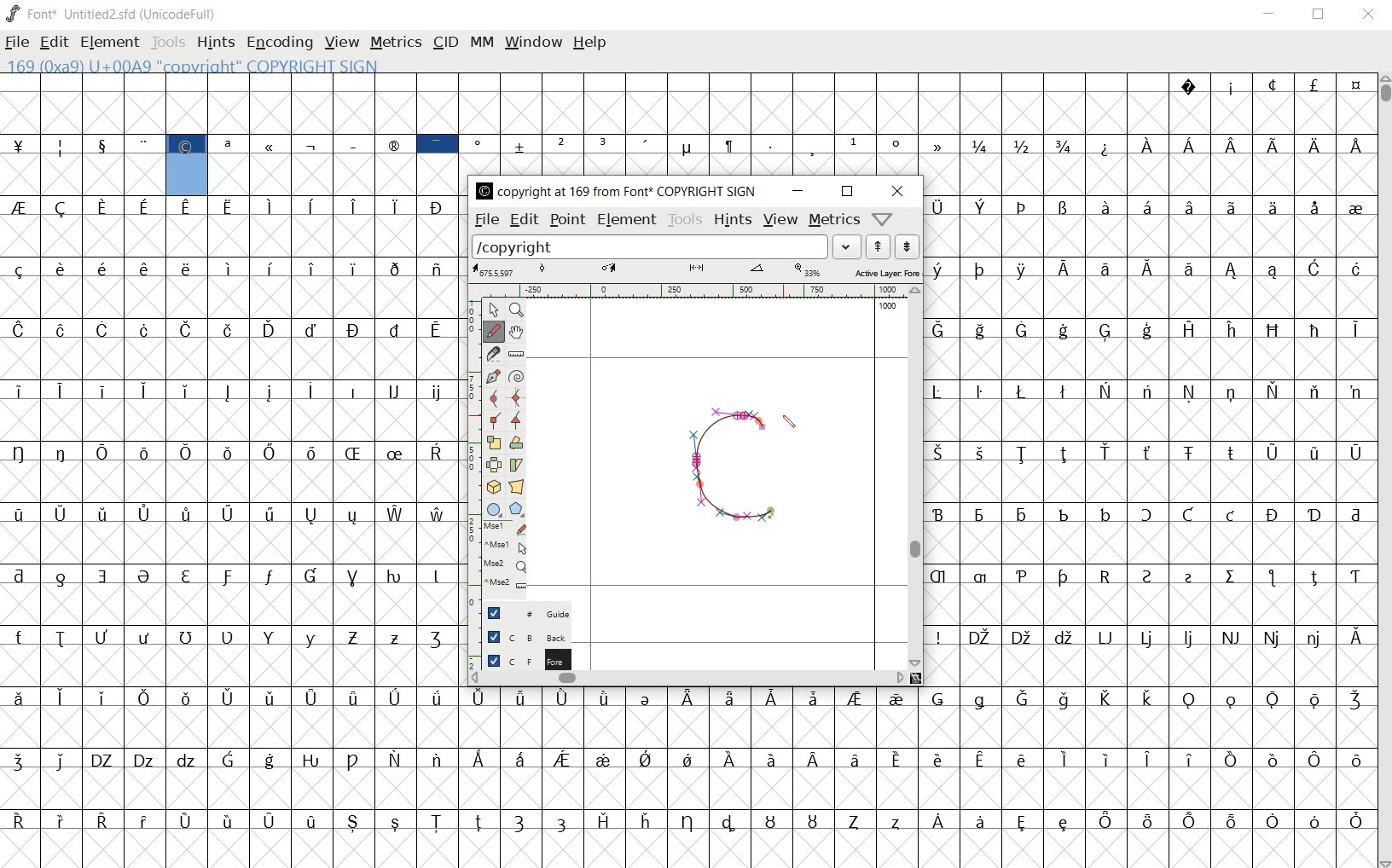 This screenshot has width=1392, height=868. Describe the element at coordinates (730, 476) in the screenshot. I see `designing copyright glyph` at that location.